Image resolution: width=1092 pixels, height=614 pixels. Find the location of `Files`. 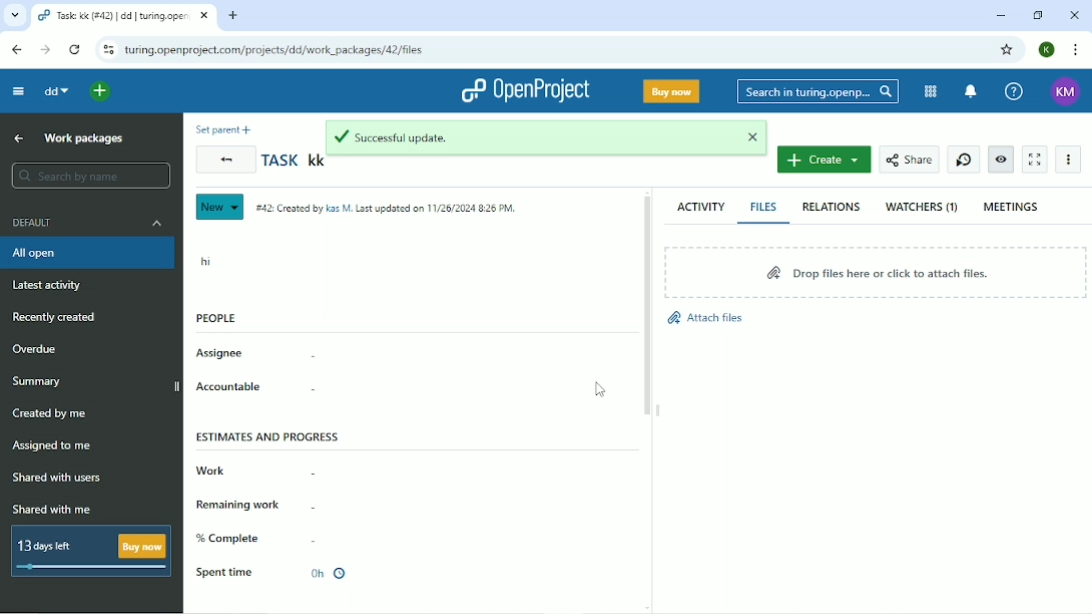

Files is located at coordinates (764, 207).